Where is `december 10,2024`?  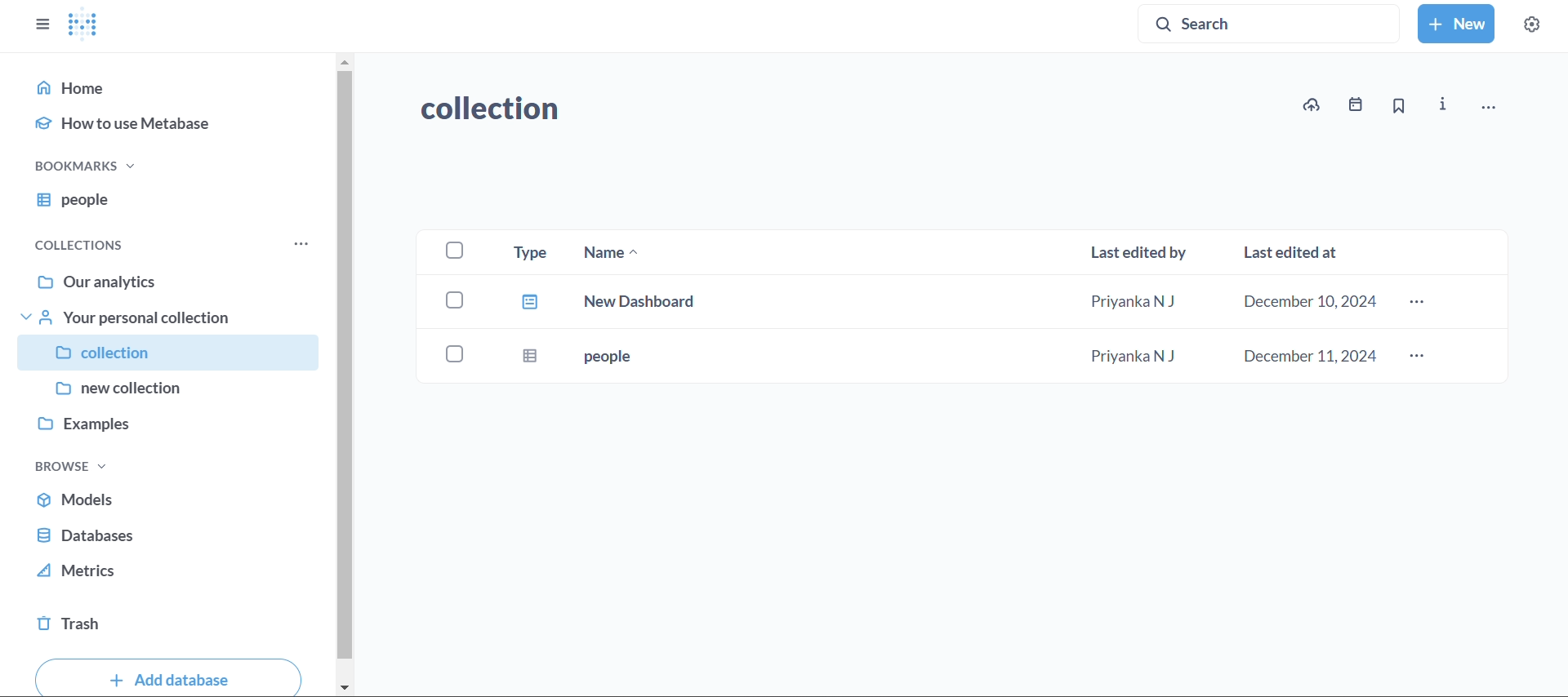
december 10,2024 is located at coordinates (1306, 303).